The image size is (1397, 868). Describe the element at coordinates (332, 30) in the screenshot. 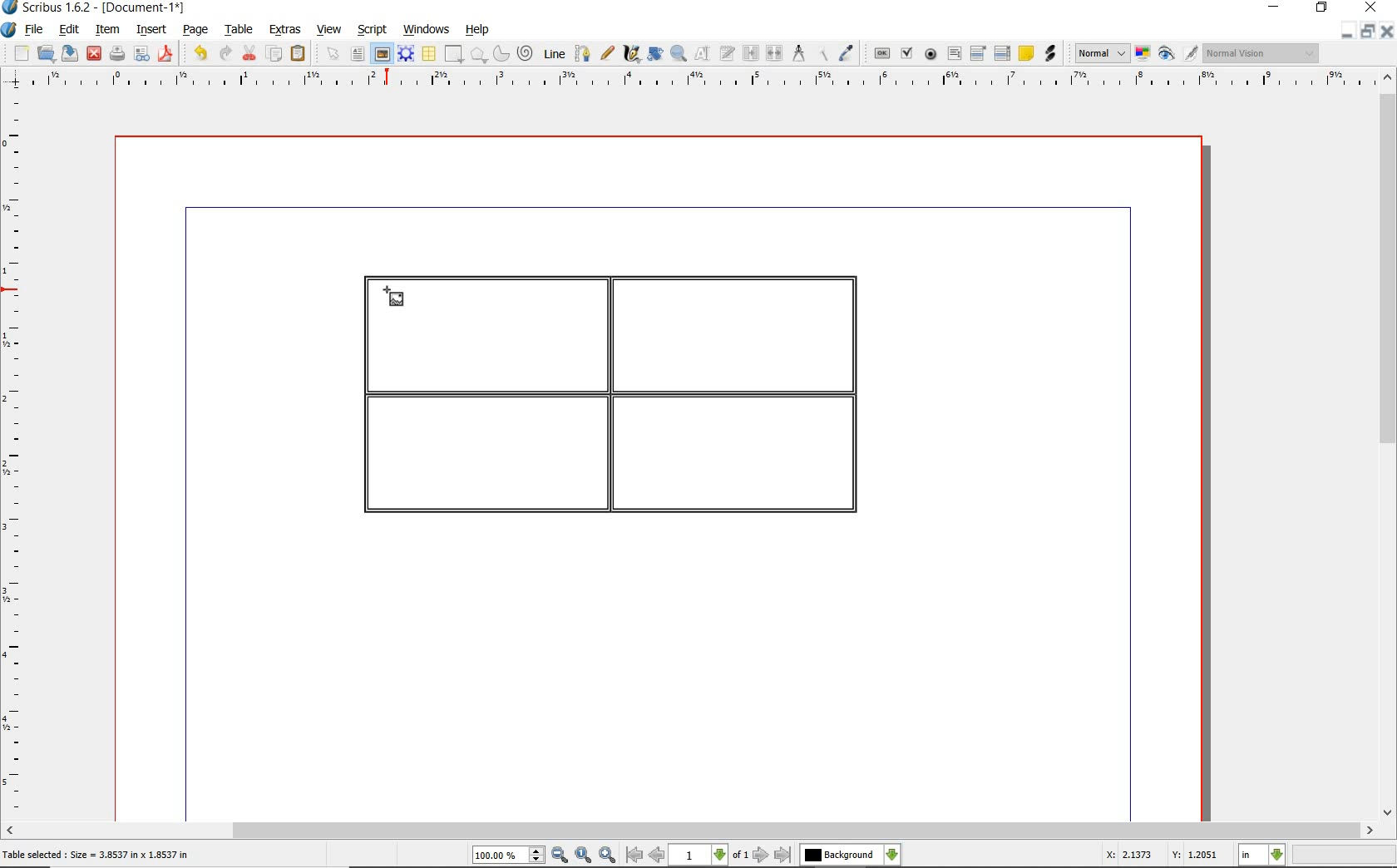

I see `view ` at that location.